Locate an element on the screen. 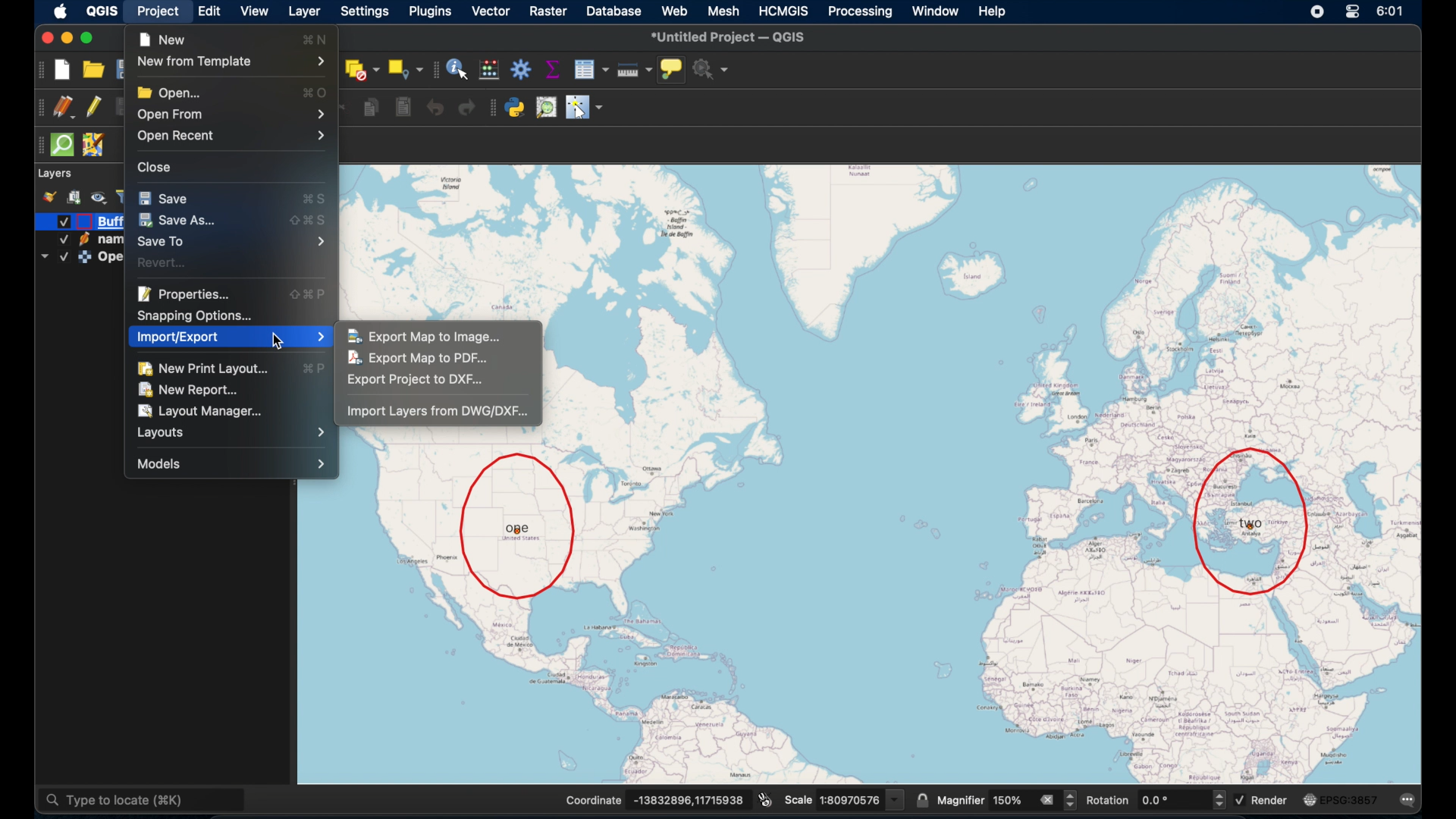 The height and width of the screenshot is (819, 1456). open project is located at coordinates (97, 67).